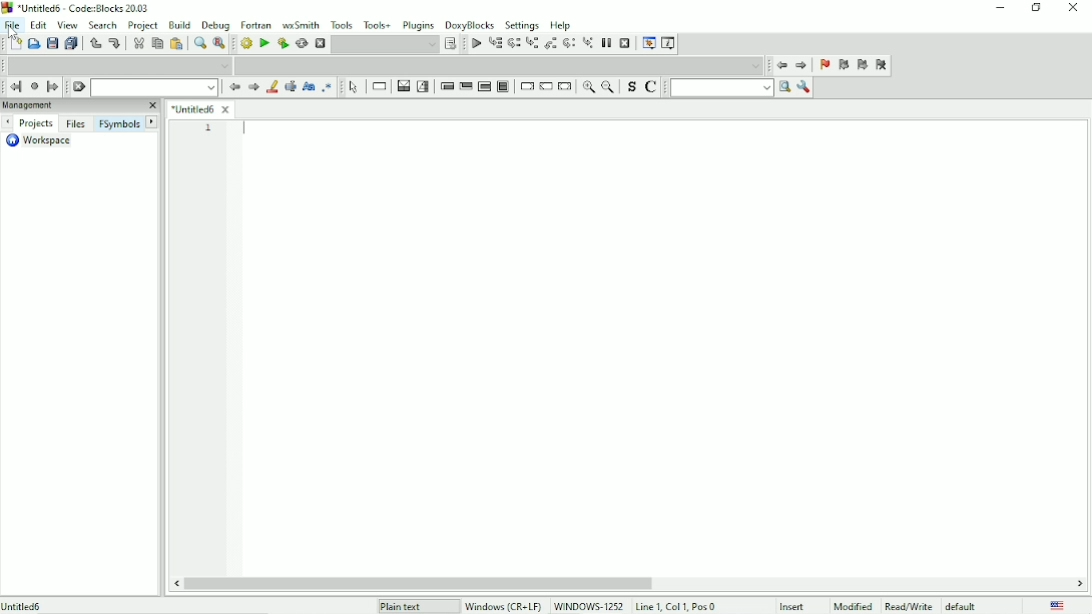 This screenshot has height=614, width=1092. Describe the element at coordinates (504, 86) in the screenshot. I see `Block instruction` at that location.